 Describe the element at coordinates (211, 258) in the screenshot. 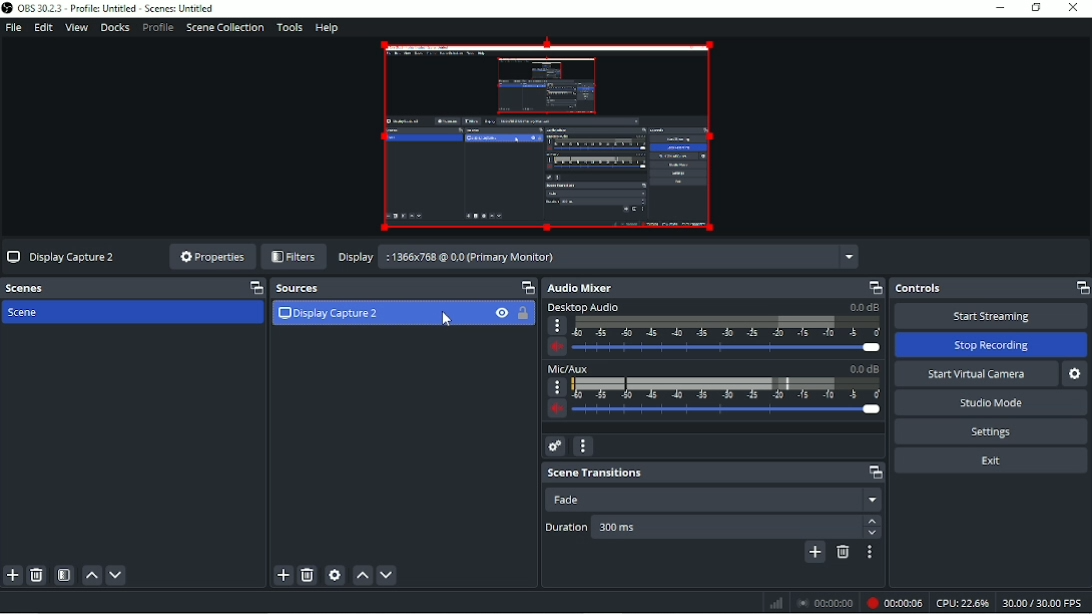

I see `Properties` at that location.